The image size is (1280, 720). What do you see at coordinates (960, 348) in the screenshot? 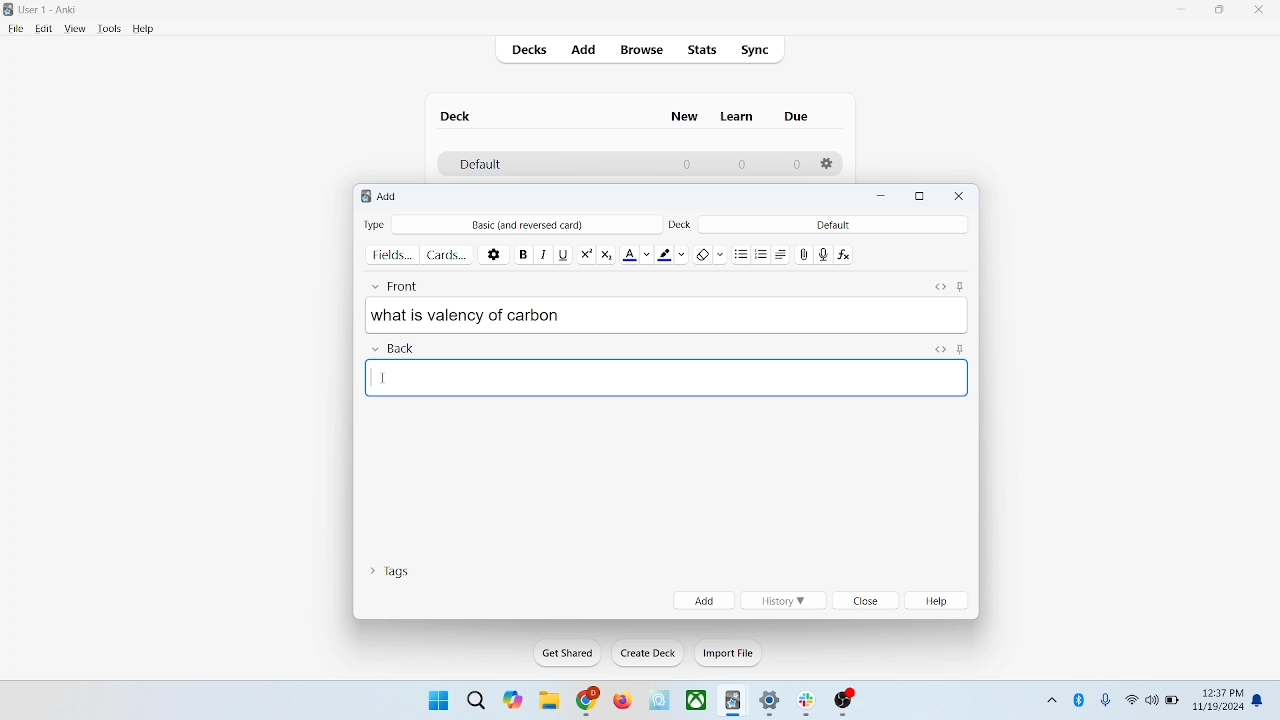
I see `sticky` at bounding box center [960, 348].